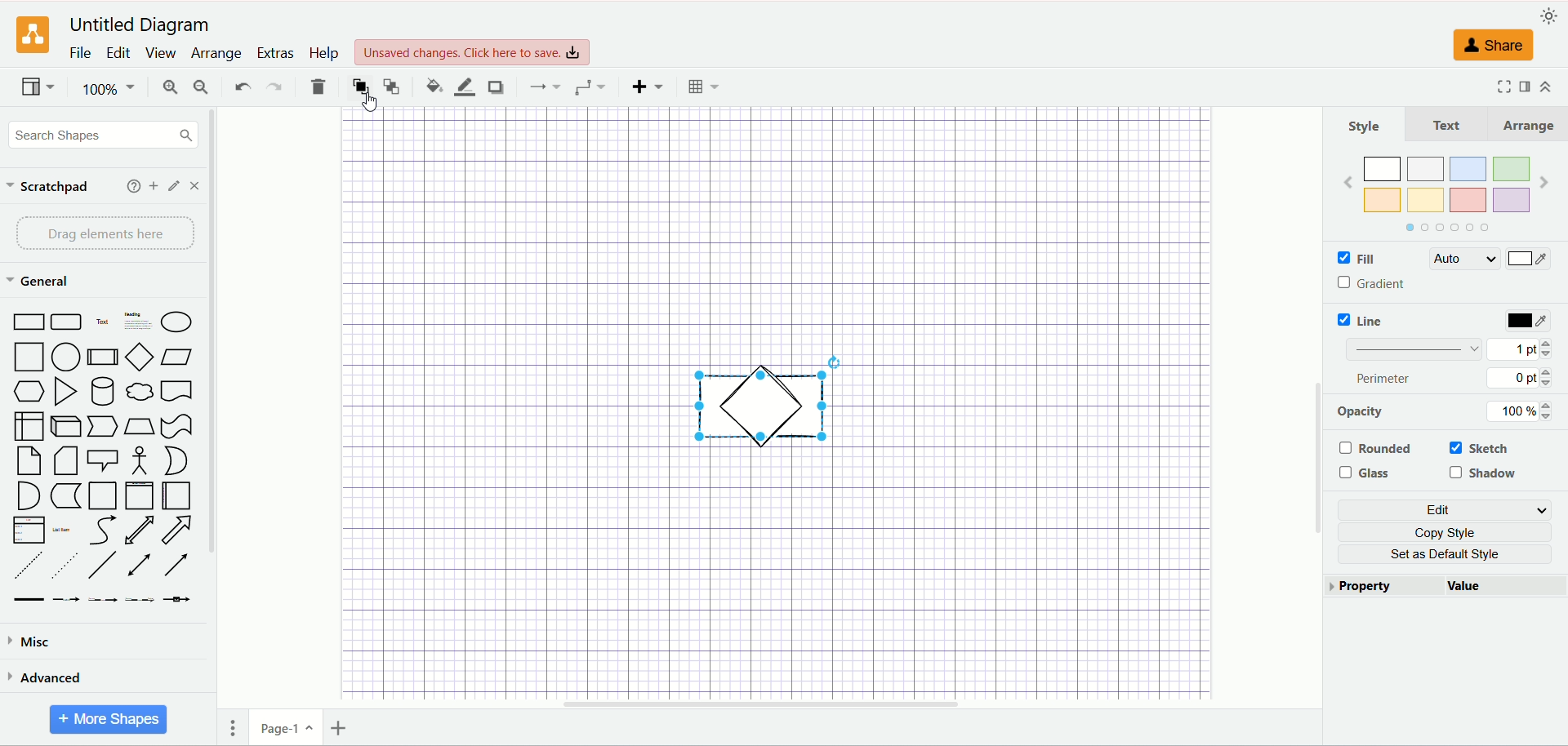 This screenshot has width=1568, height=746. I want to click on 0 pt, so click(1522, 379).